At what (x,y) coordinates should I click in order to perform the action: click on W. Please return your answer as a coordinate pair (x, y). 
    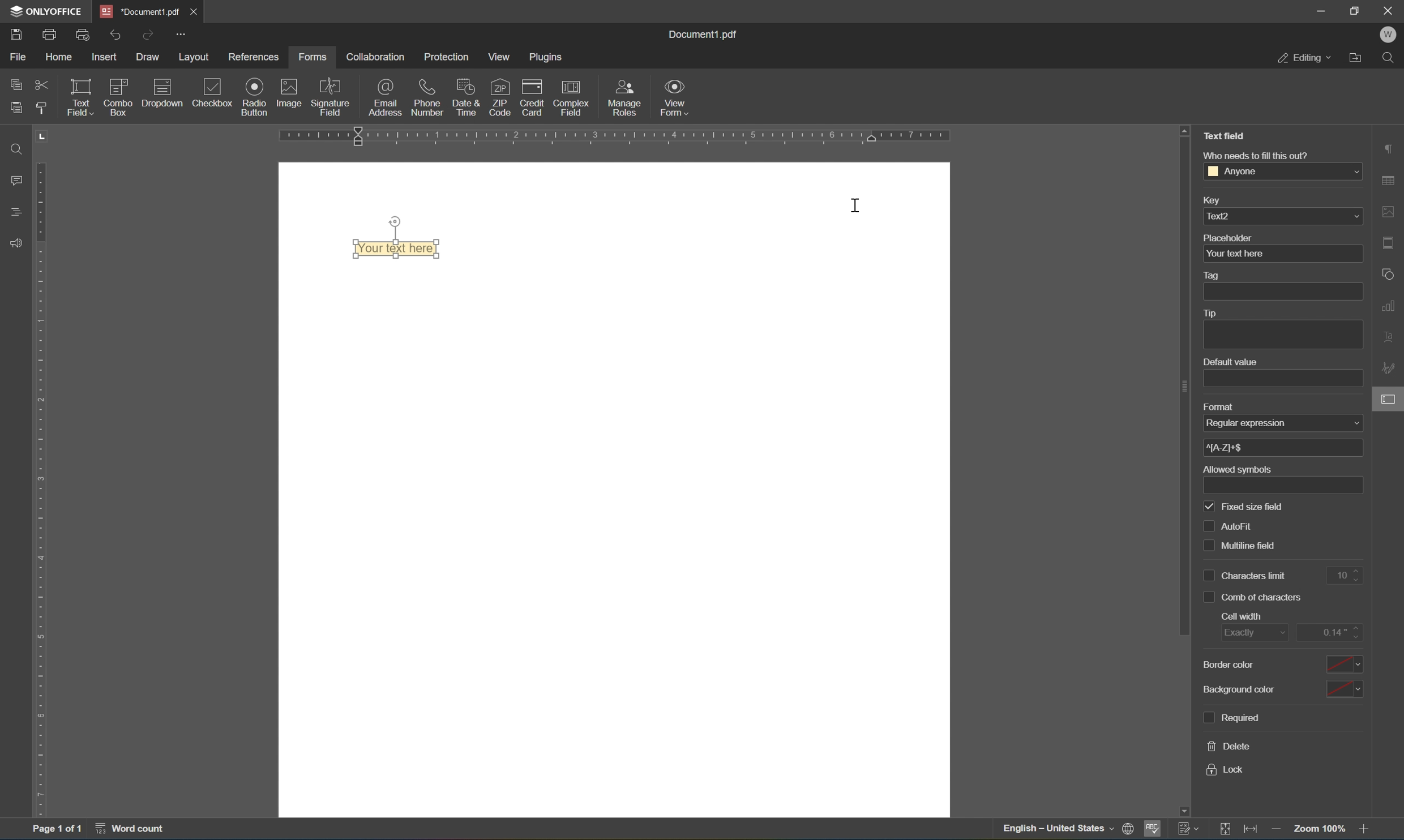
    Looking at the image, I should click on (1390, 34).